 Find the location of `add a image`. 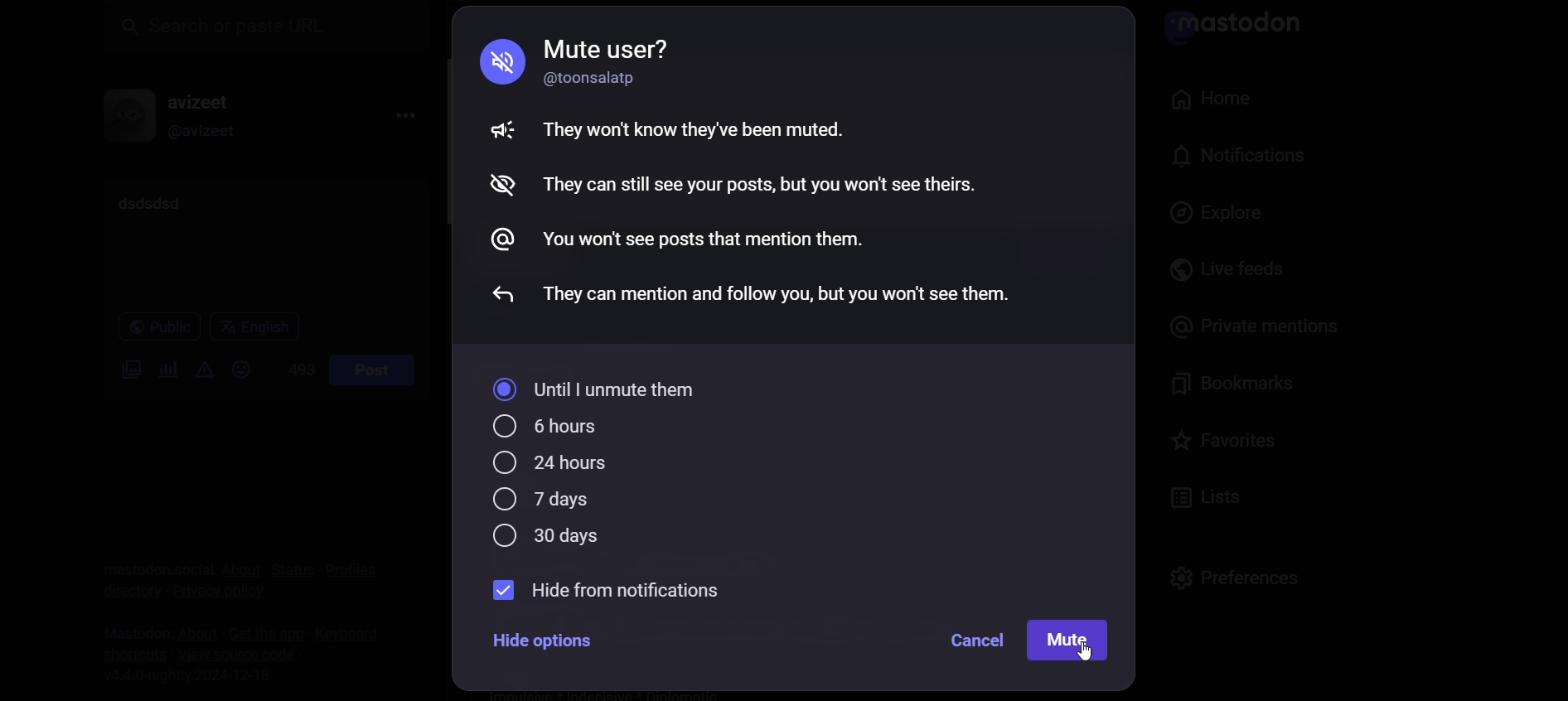

add a image is located at coordinates (128, 371).